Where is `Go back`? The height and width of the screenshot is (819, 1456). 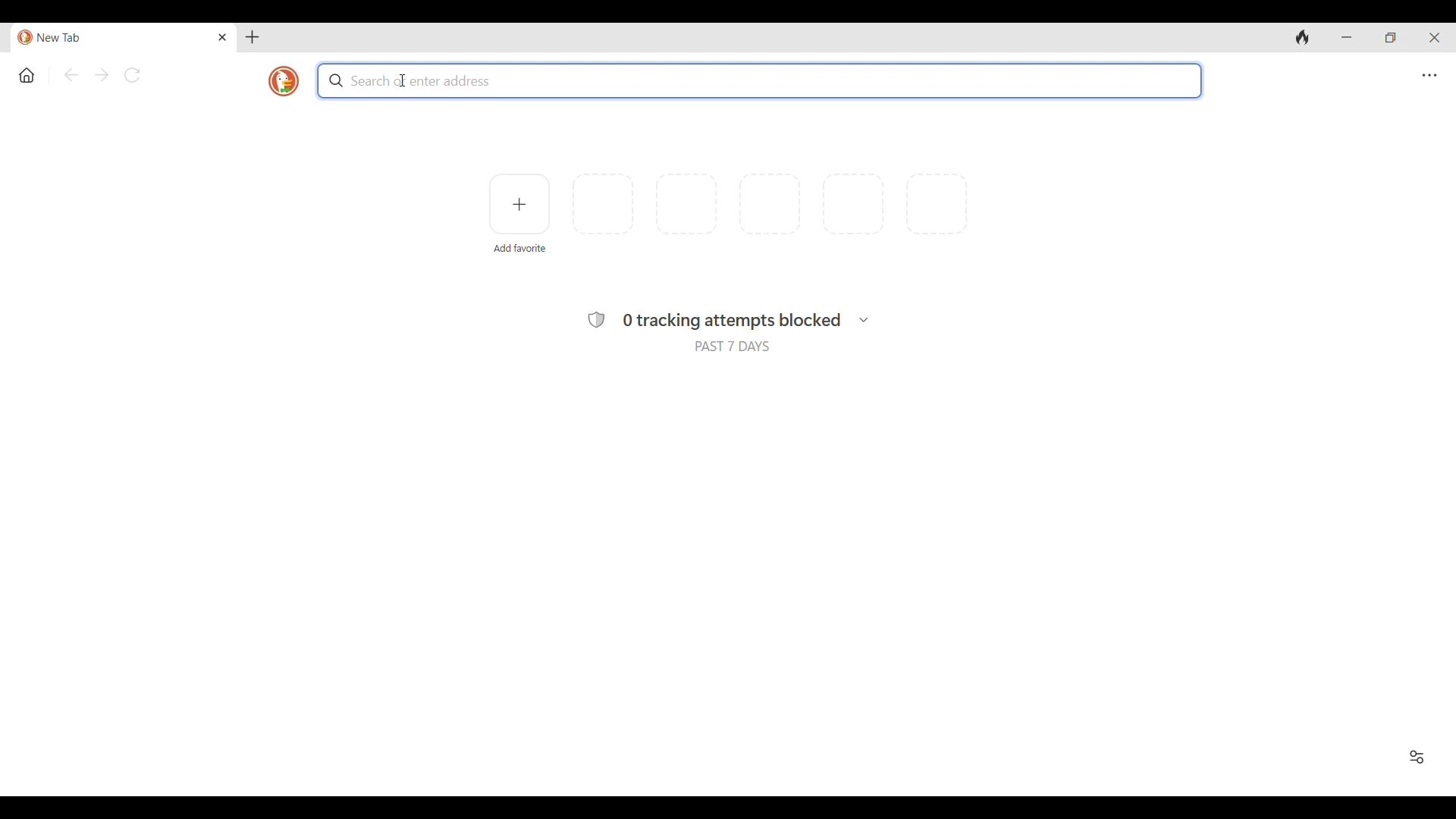
Go back is located at coordinates (71, 74).